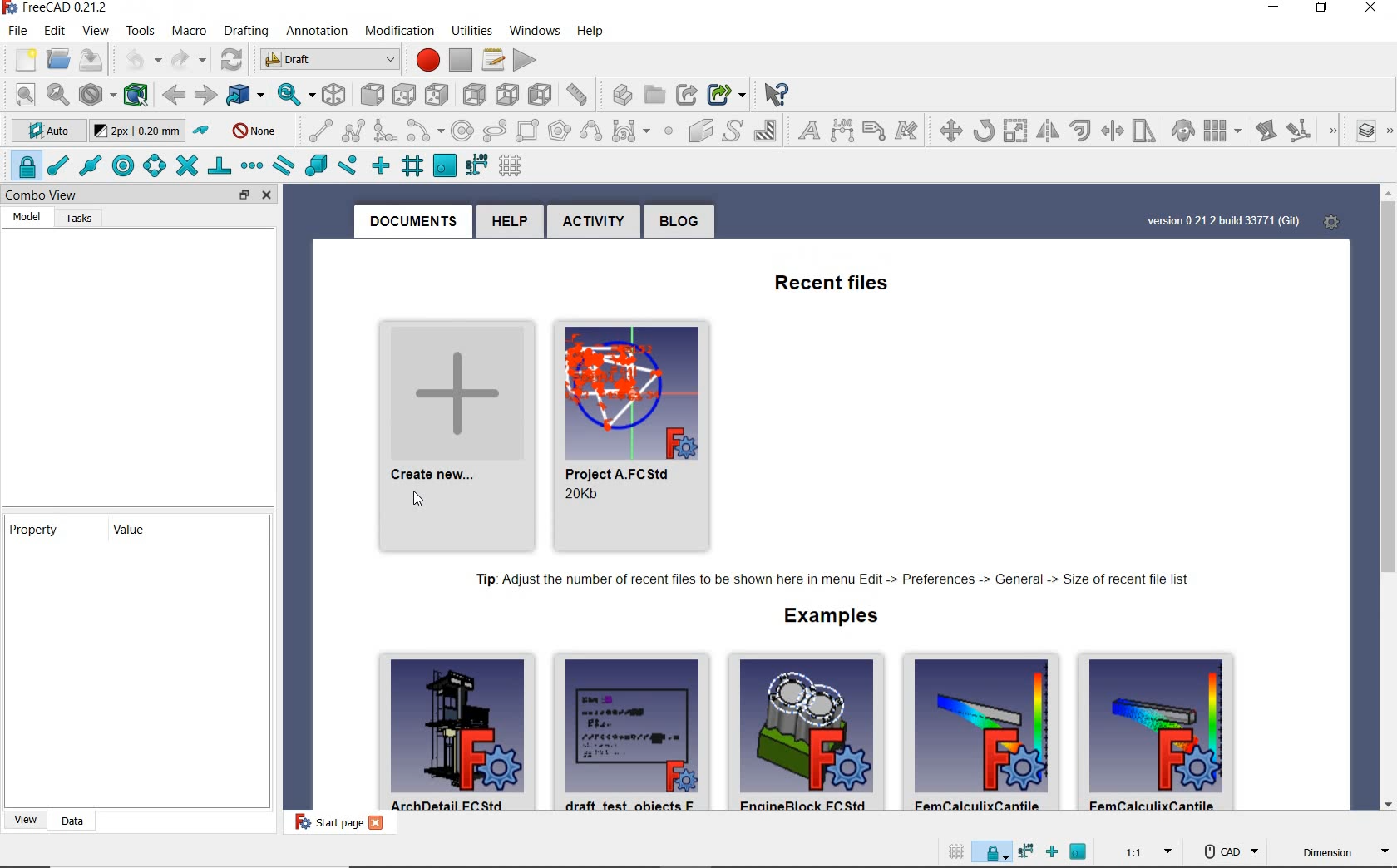 Image resolution: width=1397 pixels, height=868 pixels. What do you see at coordinates (180, 60) in the screenshot?
I see `redo` at bounding box center [180, 60].